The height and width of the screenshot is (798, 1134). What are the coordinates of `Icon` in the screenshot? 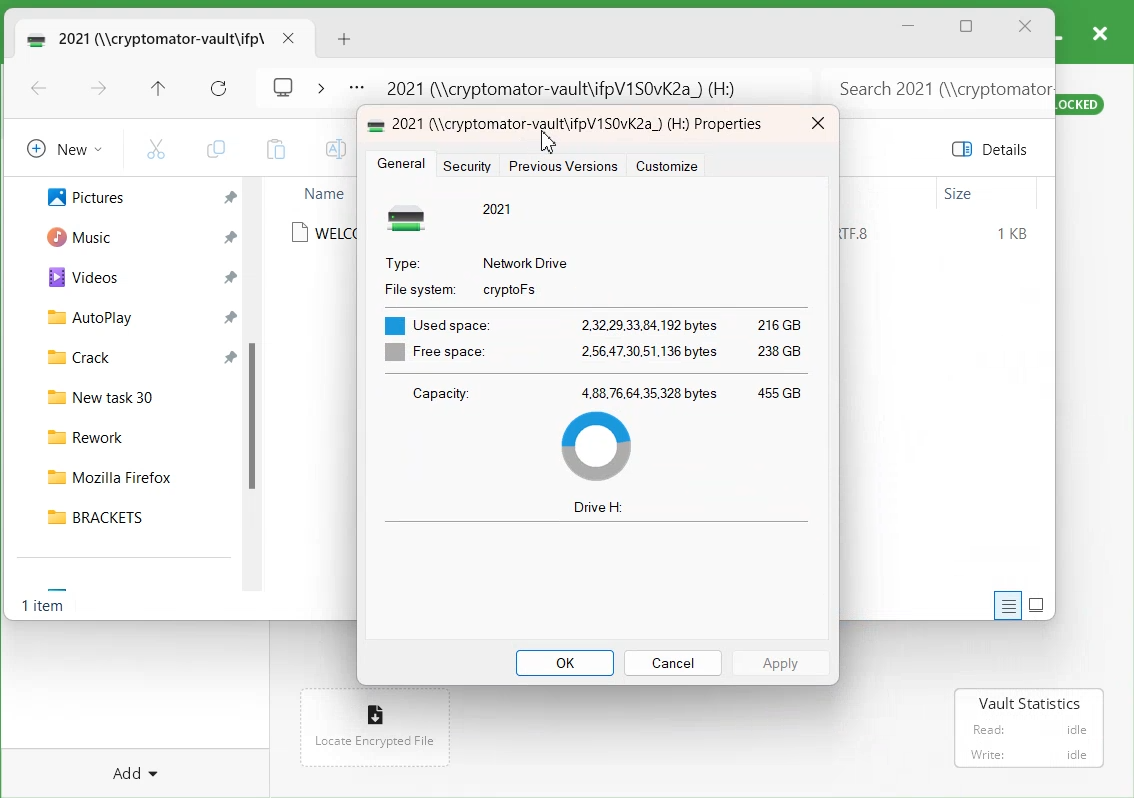 It's located at (377, 123).